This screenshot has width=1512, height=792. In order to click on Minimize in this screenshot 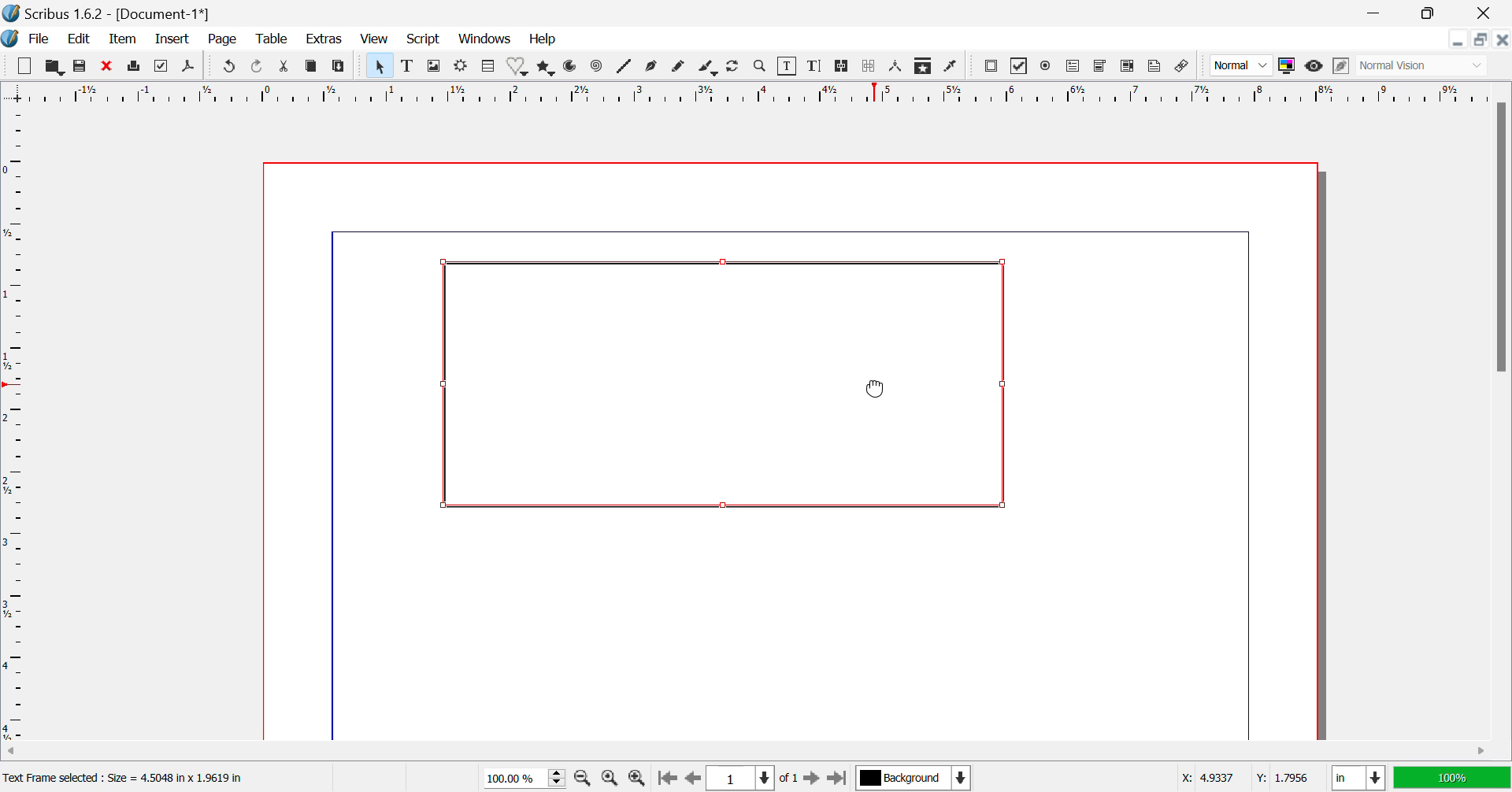, I will do `click(1429, 12)`.